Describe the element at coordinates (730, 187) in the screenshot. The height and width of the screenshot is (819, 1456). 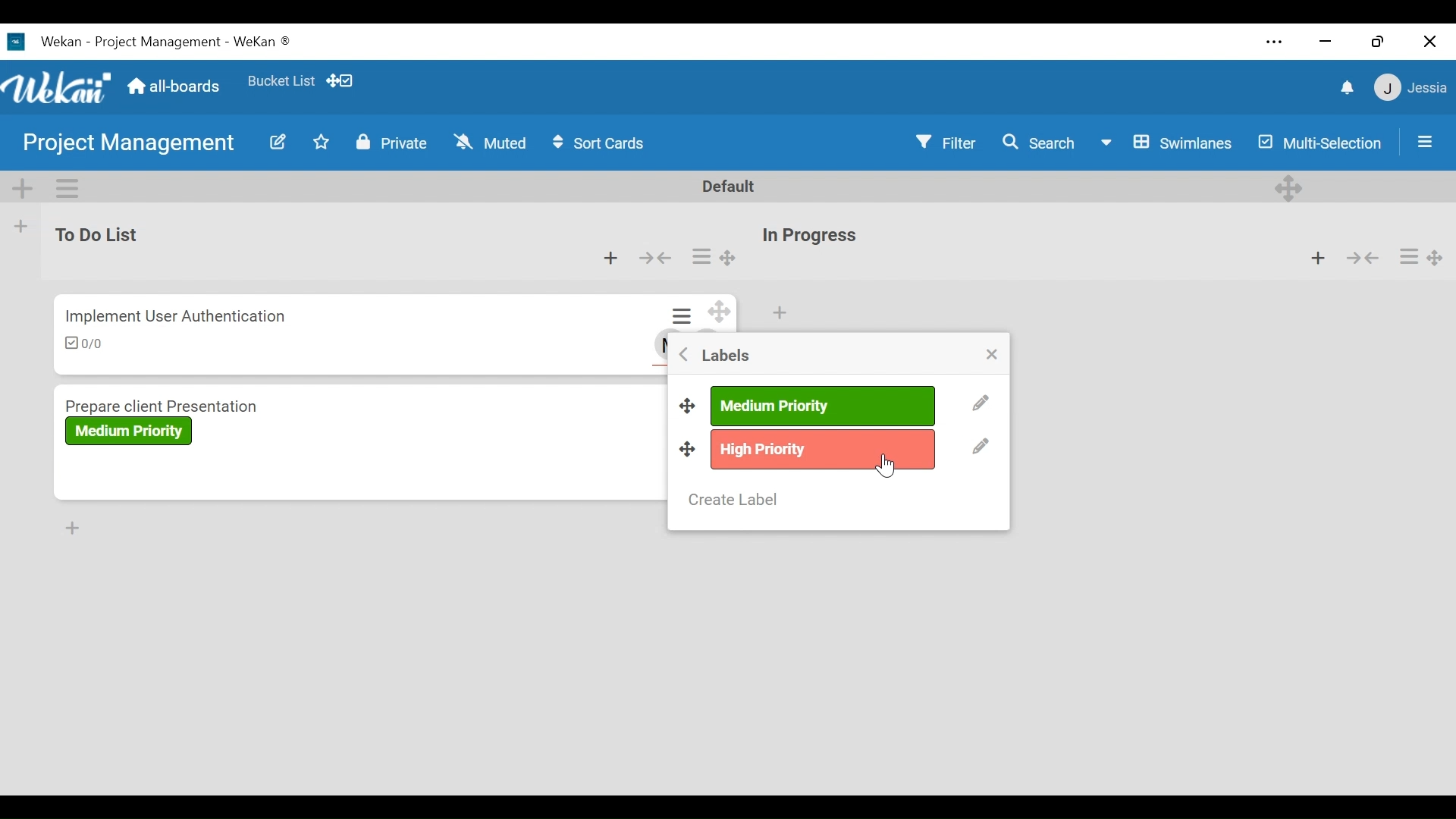
I see `Default` at that location.